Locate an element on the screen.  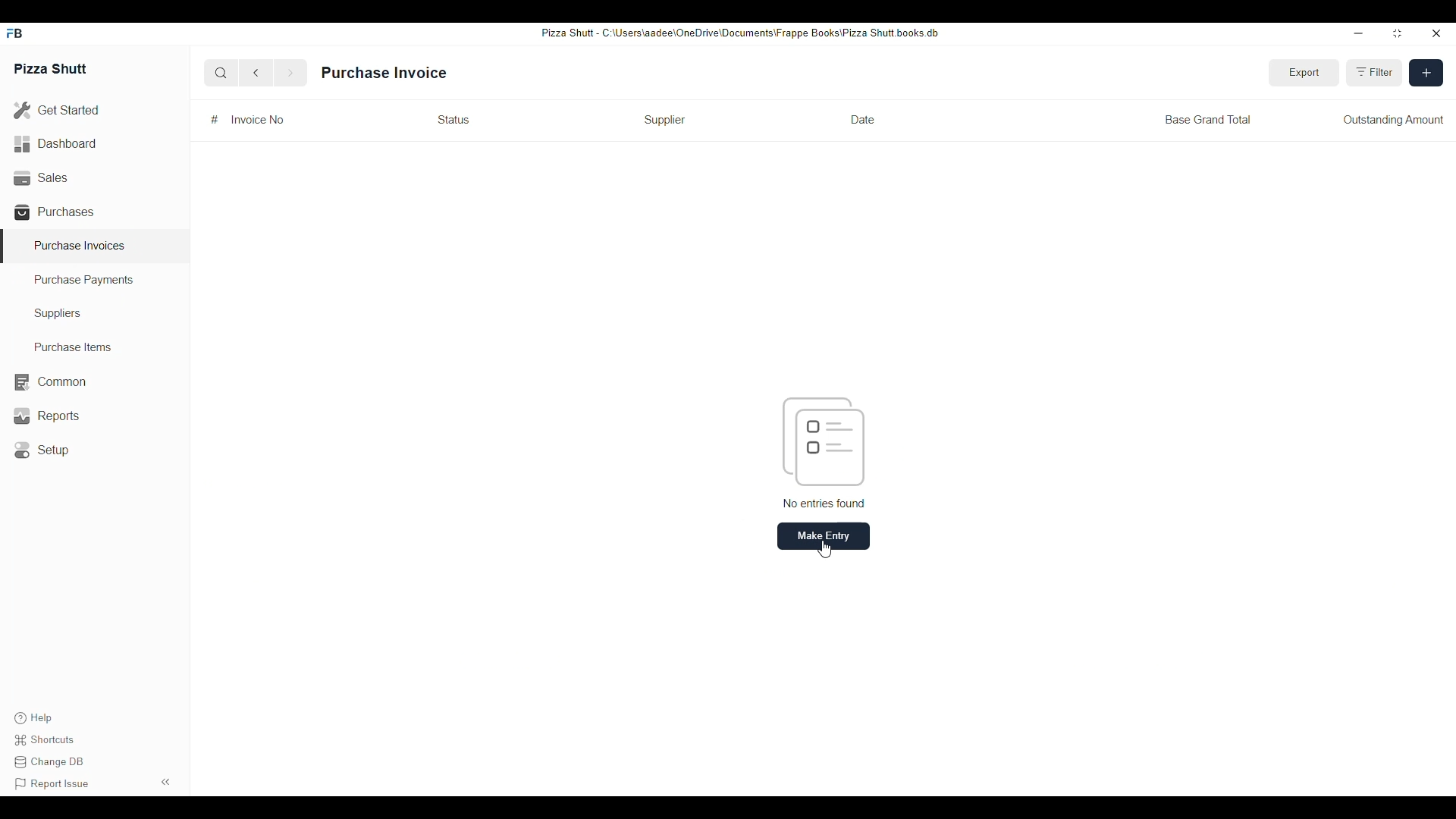
Make Entry is located at coordinates (824, 536).